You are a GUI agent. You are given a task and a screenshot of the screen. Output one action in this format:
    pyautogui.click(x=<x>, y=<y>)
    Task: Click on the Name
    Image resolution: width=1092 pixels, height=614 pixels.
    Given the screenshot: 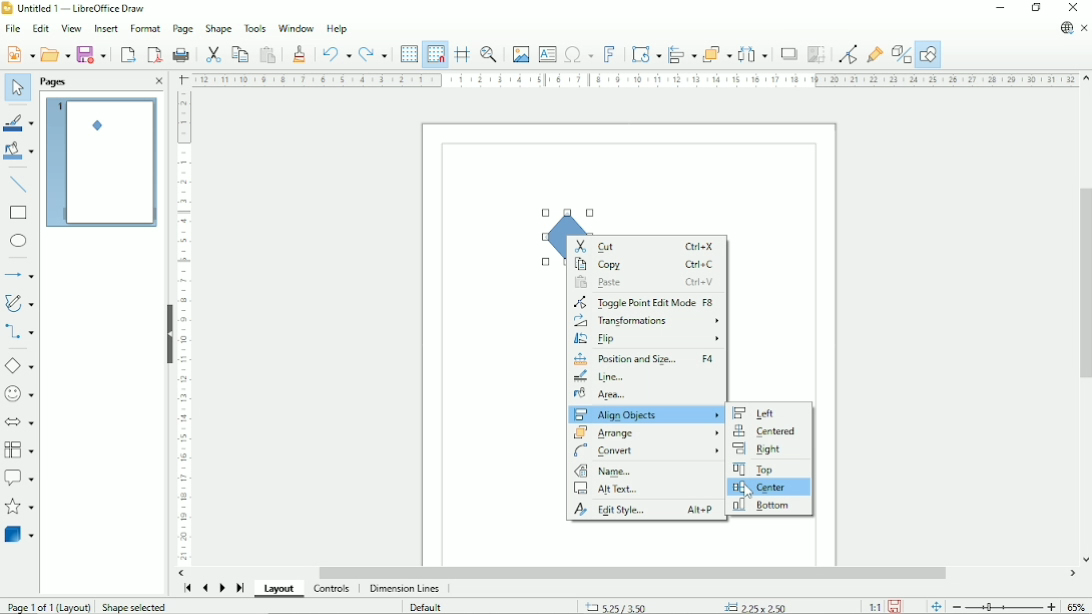 What is the action you would take?
    pyautogui.click(x=603, y=471)
    